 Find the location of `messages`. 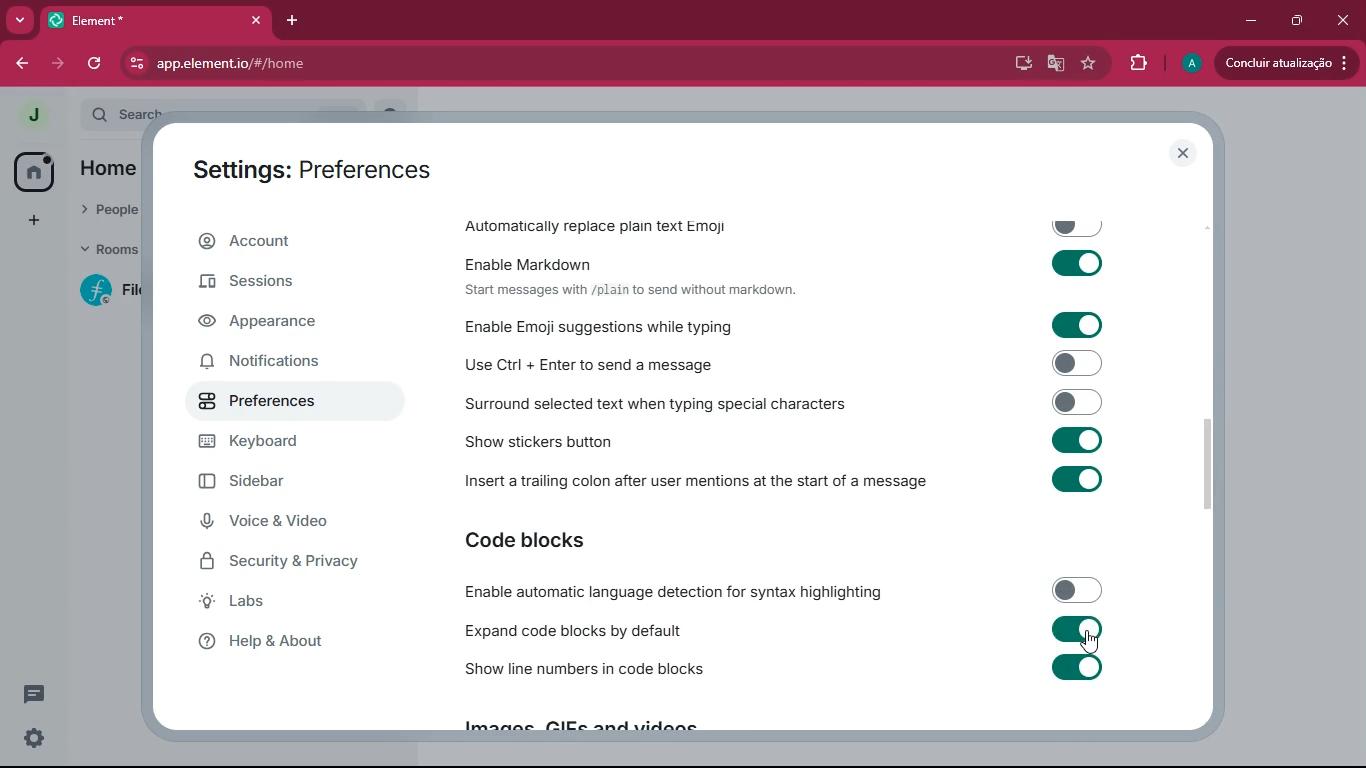

messages is located at coordinates (38, 694).